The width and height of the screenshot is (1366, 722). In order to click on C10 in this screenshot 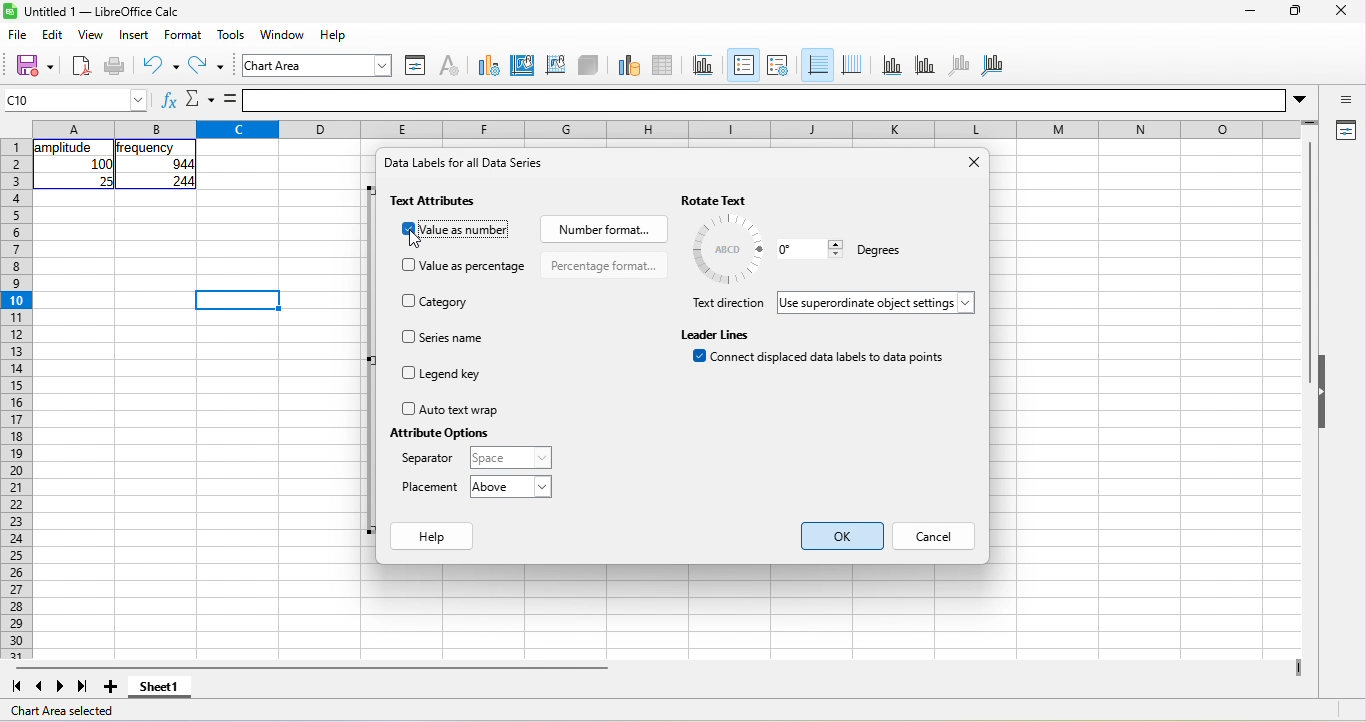, I will do `click(76, 100)`.